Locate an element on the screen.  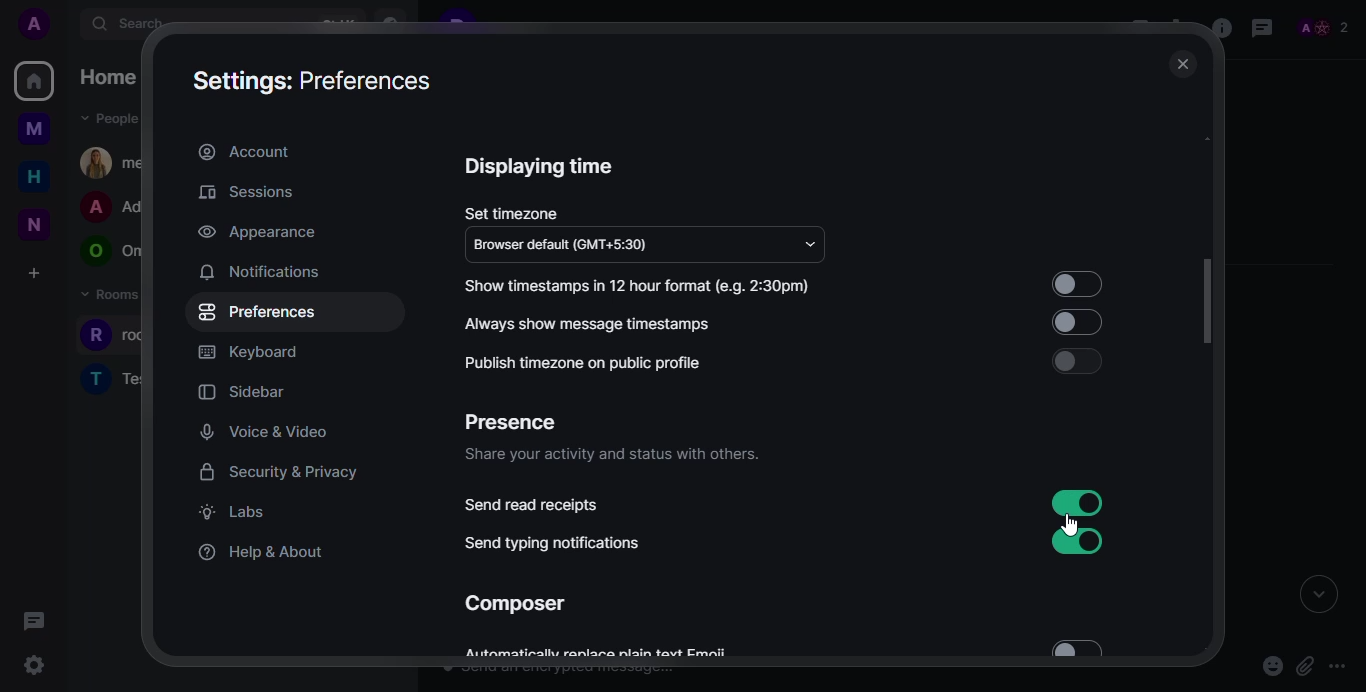
help is located at coordinates (263, 549).